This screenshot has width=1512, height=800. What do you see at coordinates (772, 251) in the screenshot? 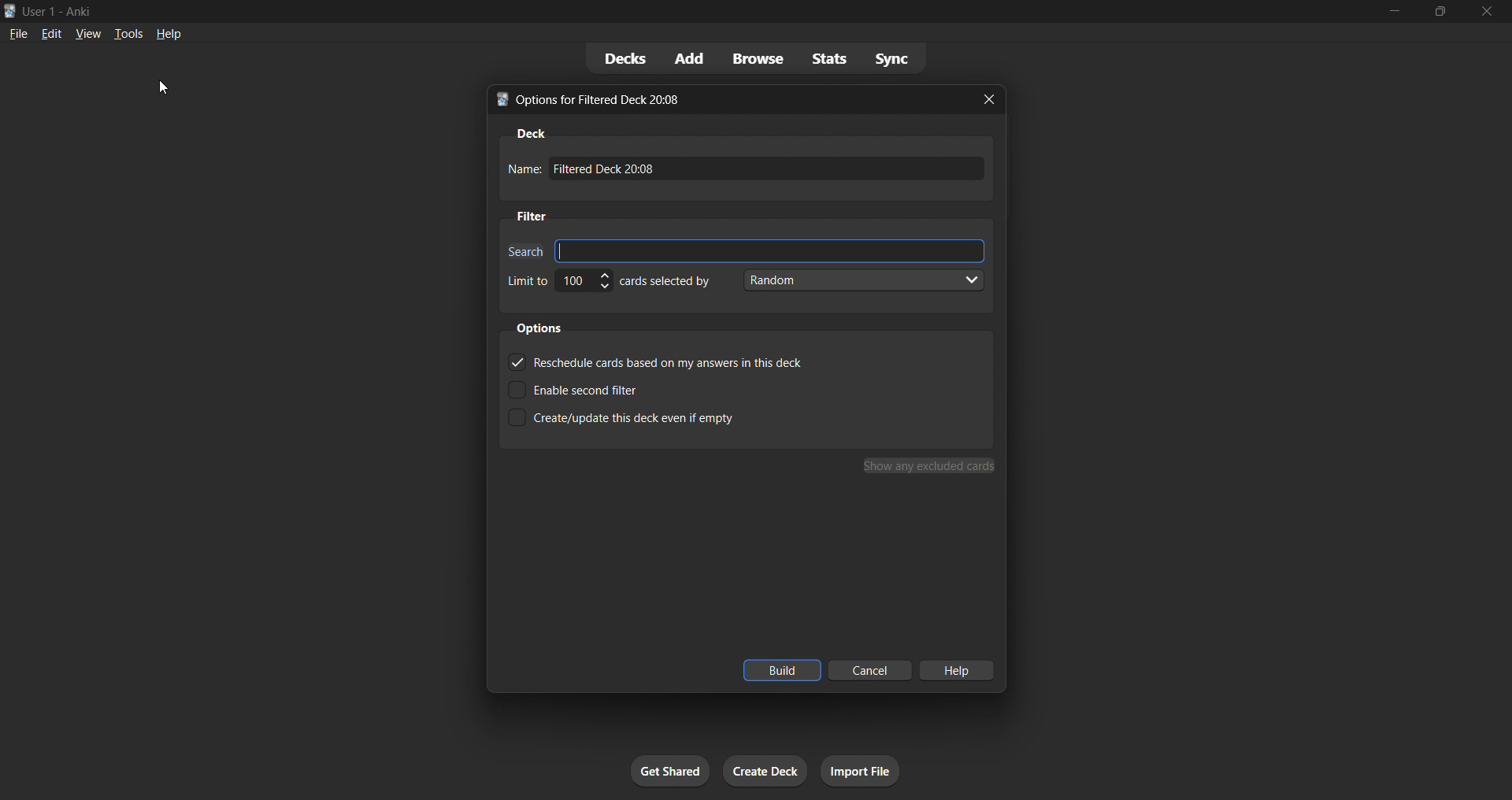
I see `filter search input box` at bounding box center [772, 251].